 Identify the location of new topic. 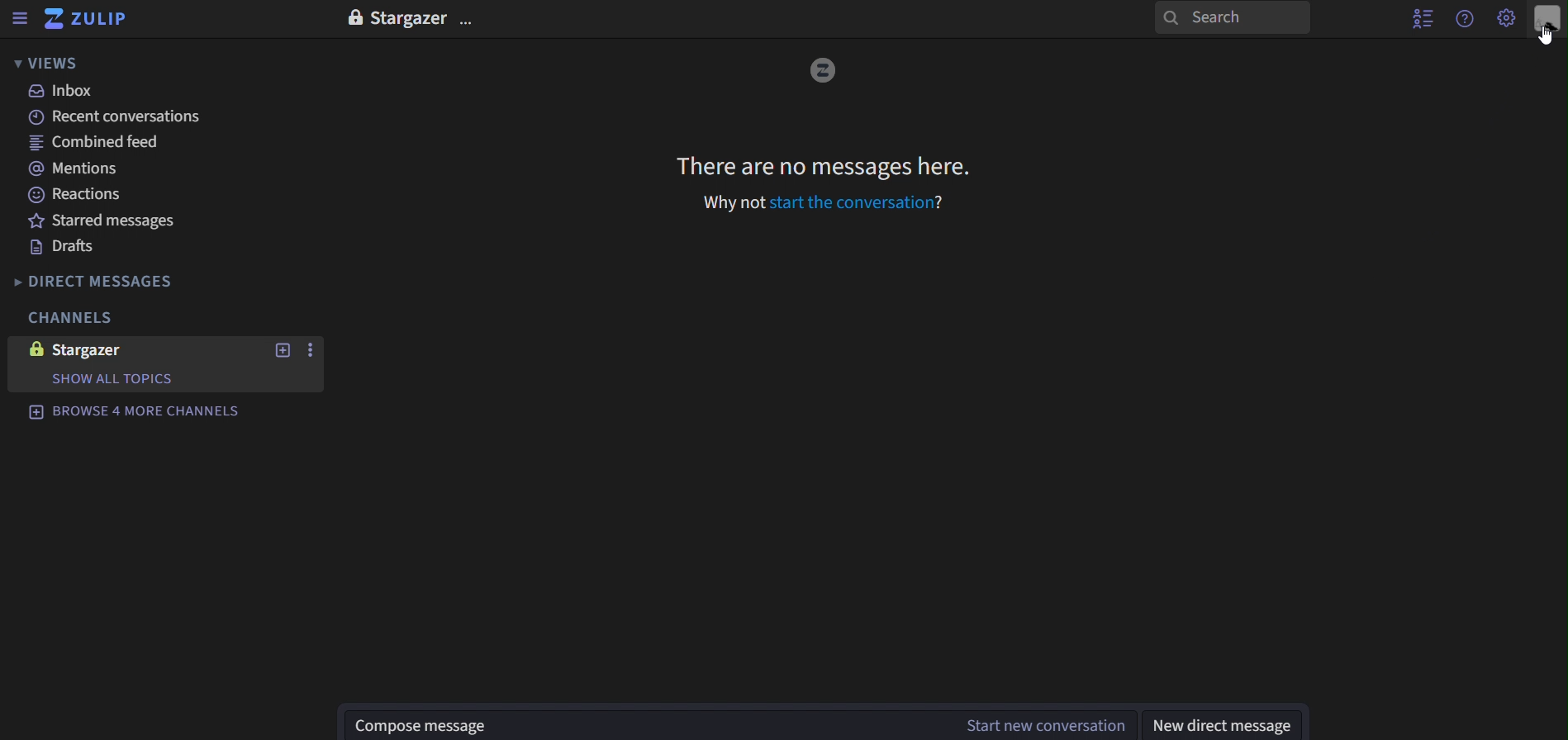
(280, 349).